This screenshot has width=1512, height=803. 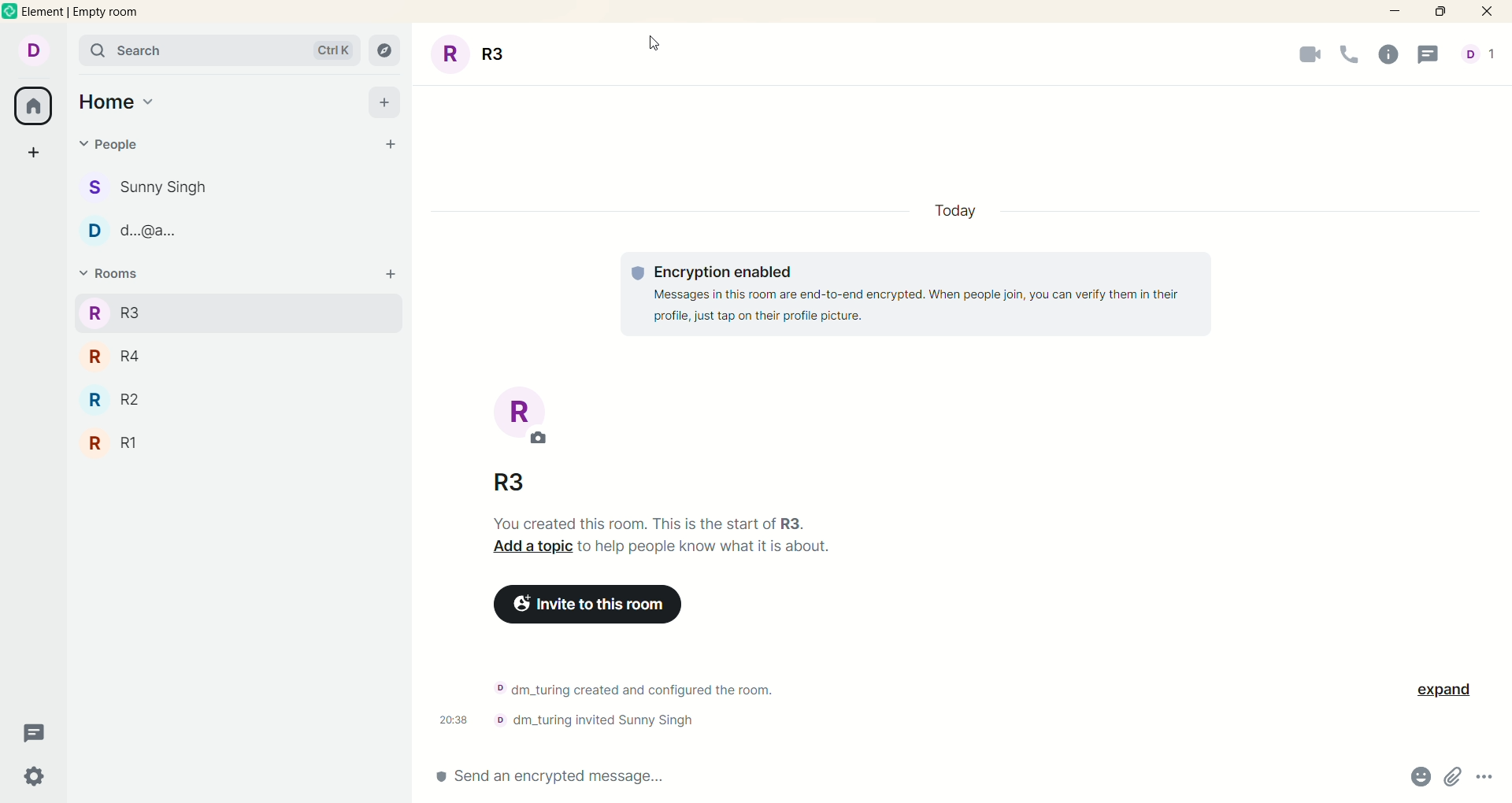 I want to click on search, so click(x=216, y=50).